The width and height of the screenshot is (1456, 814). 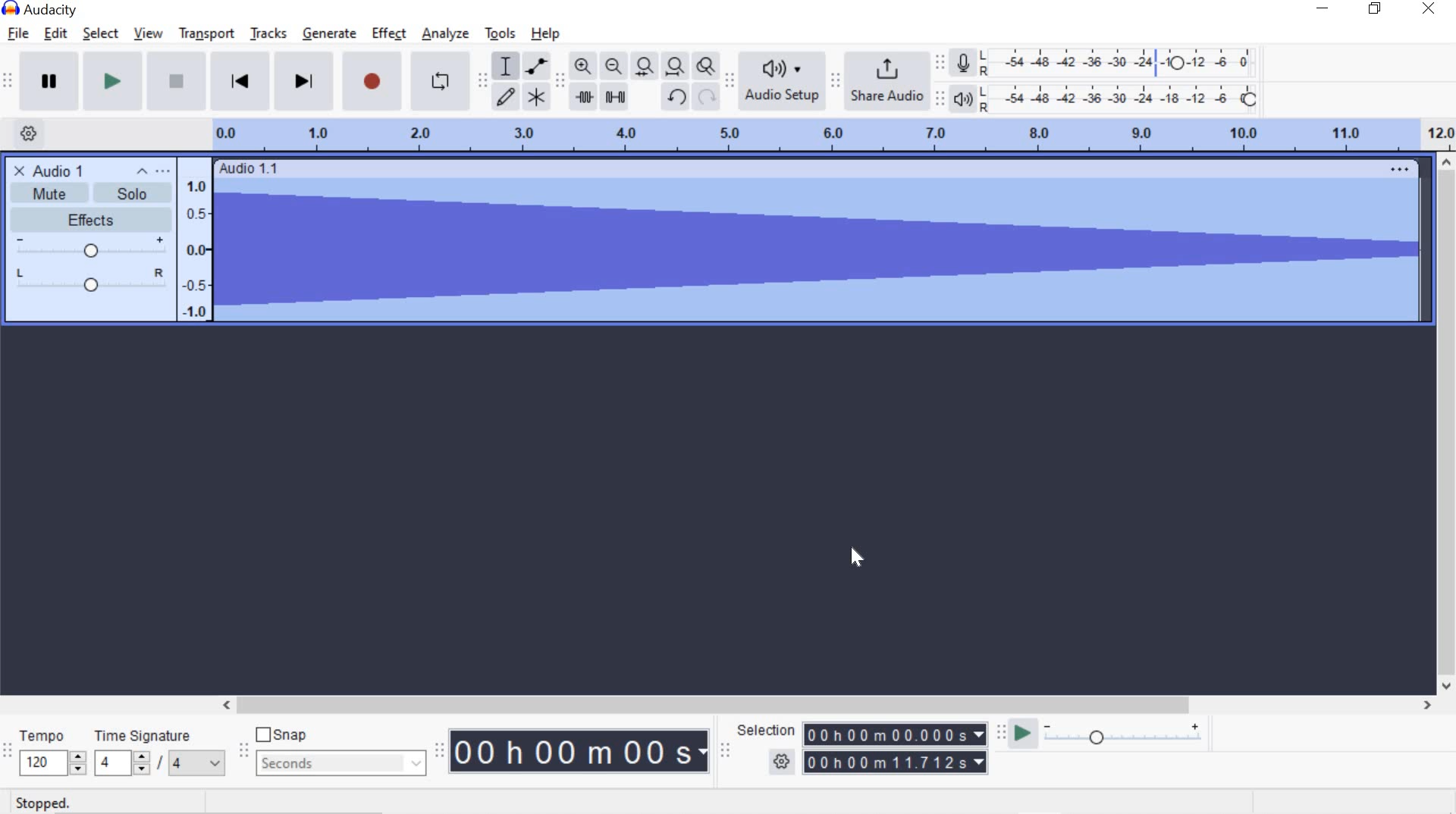 I want to click on skip to start, so click(x=240, y=79).